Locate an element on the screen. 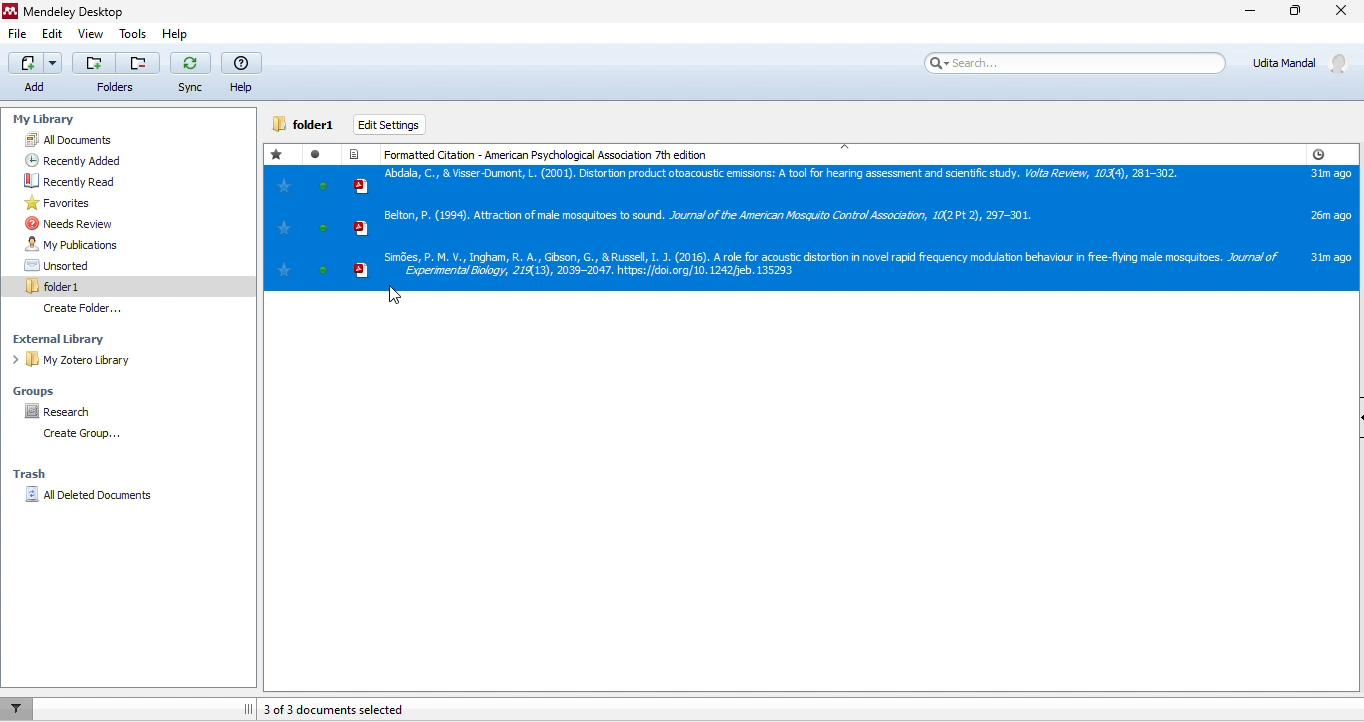  unsorted is located at coordinates (78, 265).